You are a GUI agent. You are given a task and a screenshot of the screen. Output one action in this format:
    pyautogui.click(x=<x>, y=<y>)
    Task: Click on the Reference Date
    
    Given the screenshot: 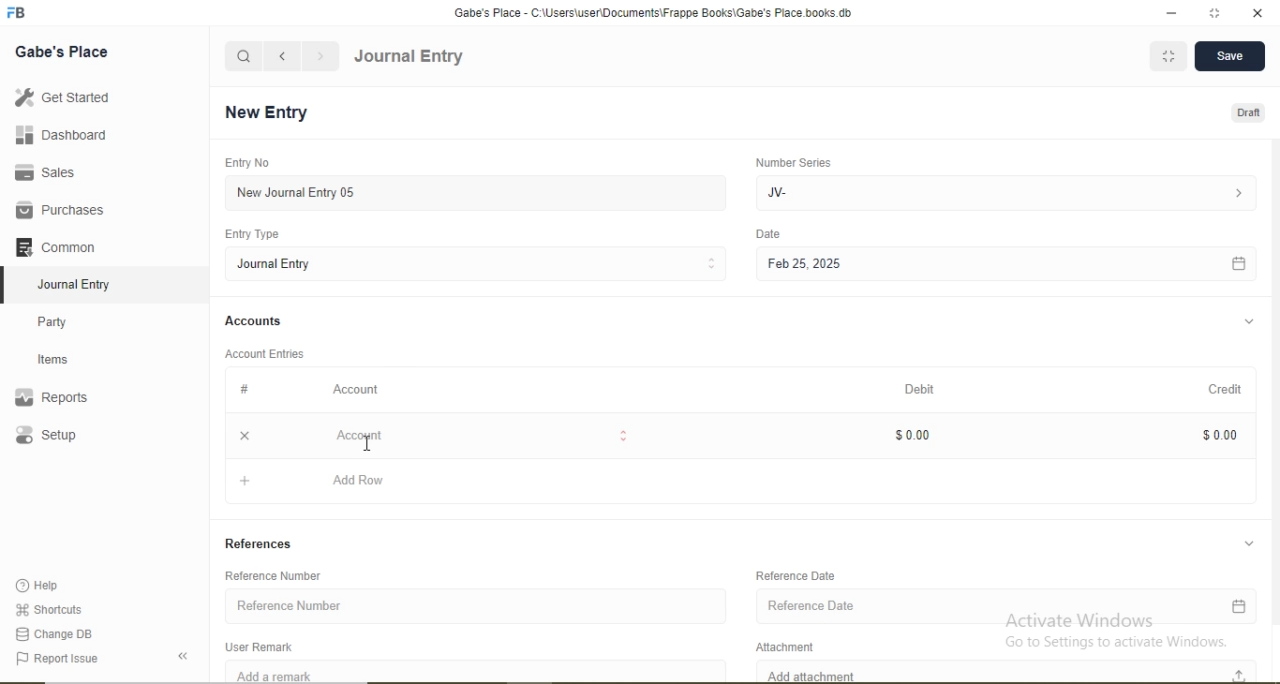 What is the action you would take?
    pyautogui.click(x=798, y=575)
    